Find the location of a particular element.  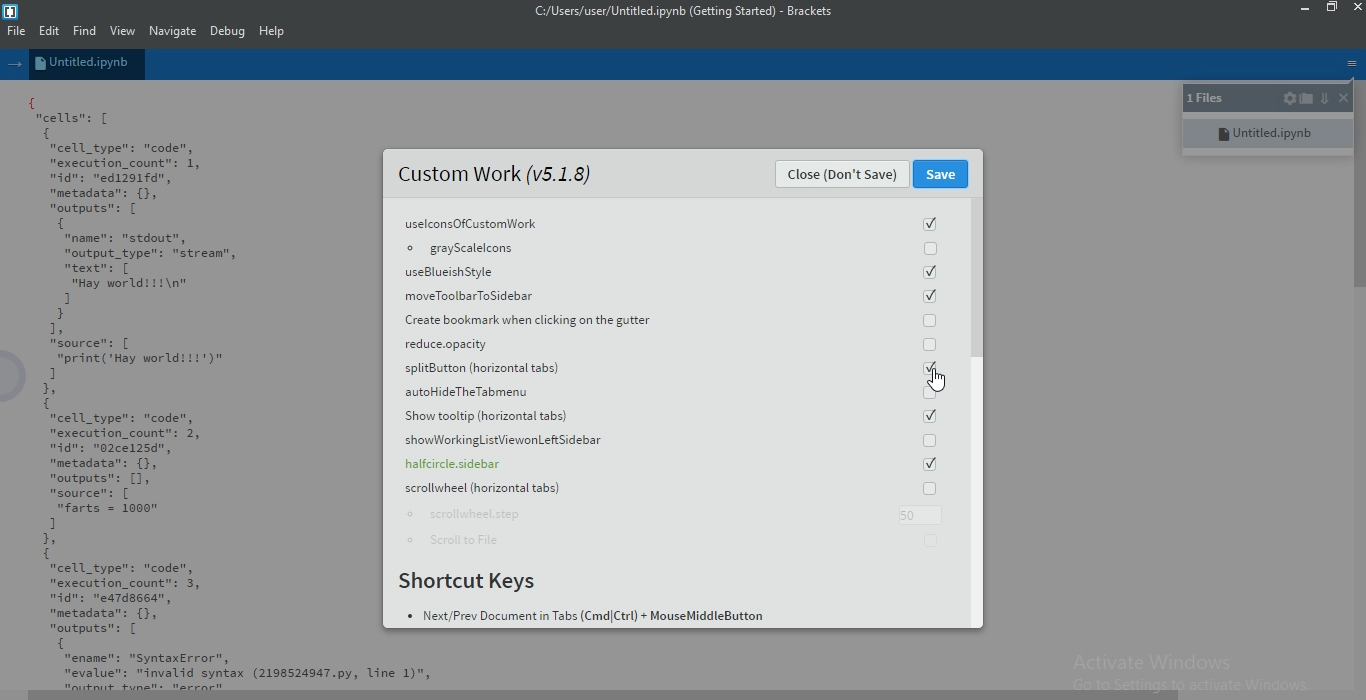

Find is located at coordinates (89, 31).